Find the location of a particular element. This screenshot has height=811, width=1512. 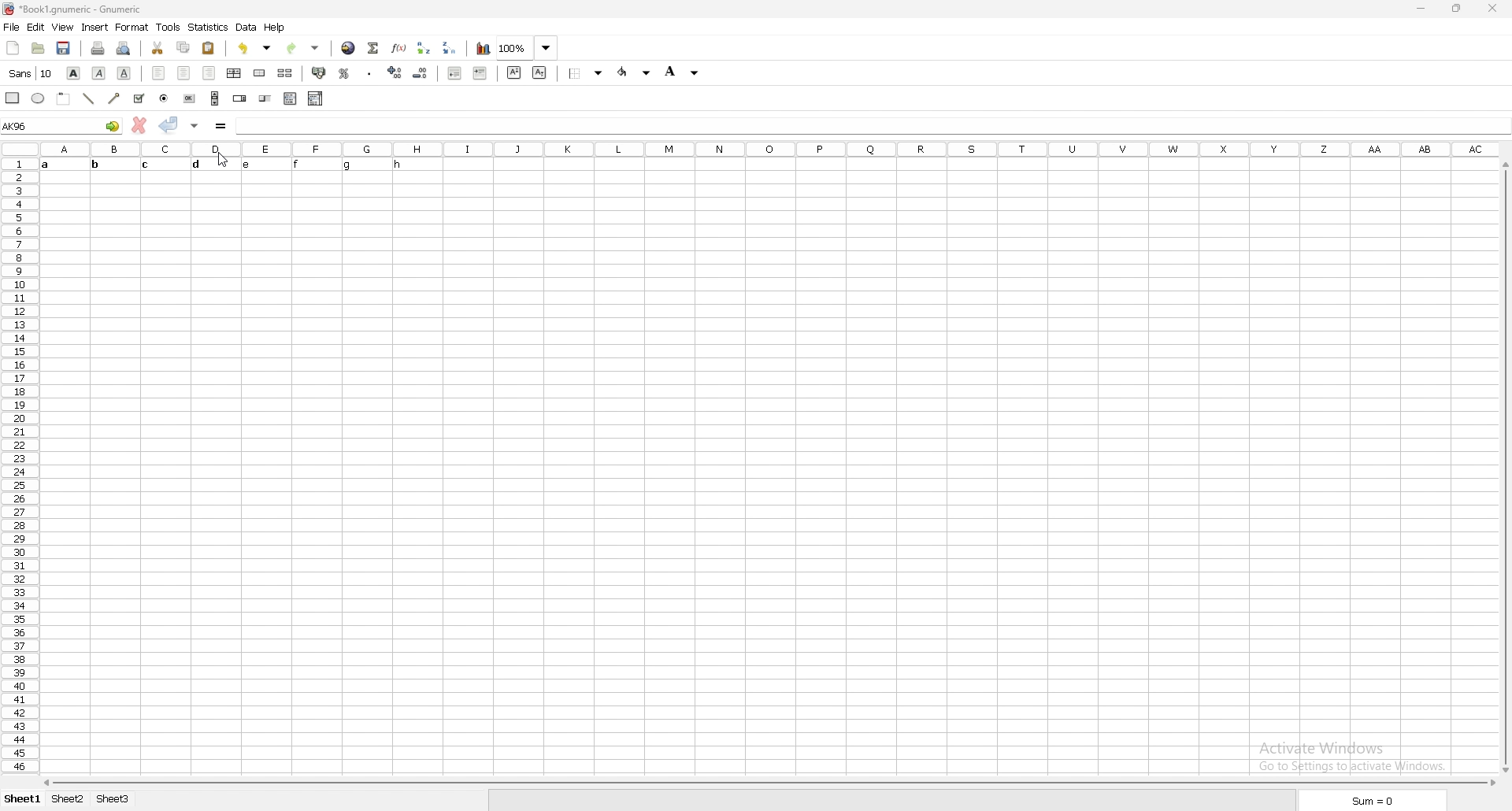

subscript is located at coordinates (539, 72).